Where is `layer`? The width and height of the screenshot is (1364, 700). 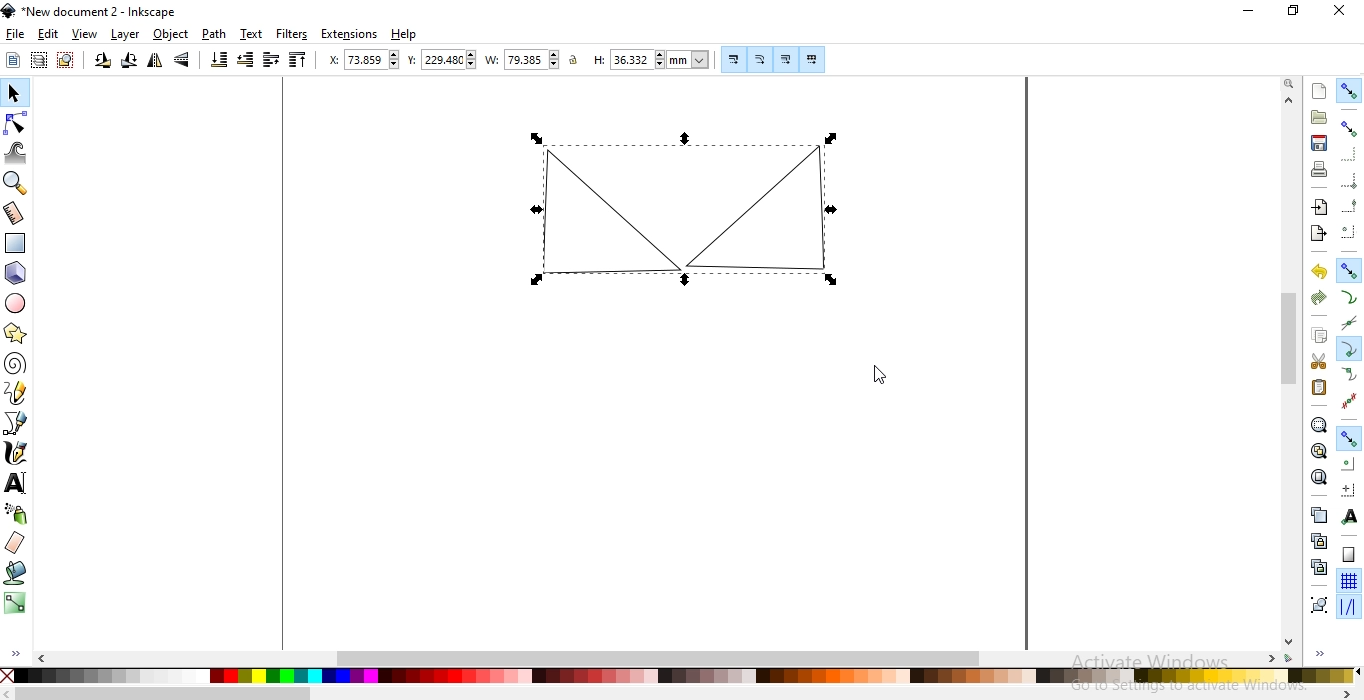
layer is located at coordinates (126, 34).